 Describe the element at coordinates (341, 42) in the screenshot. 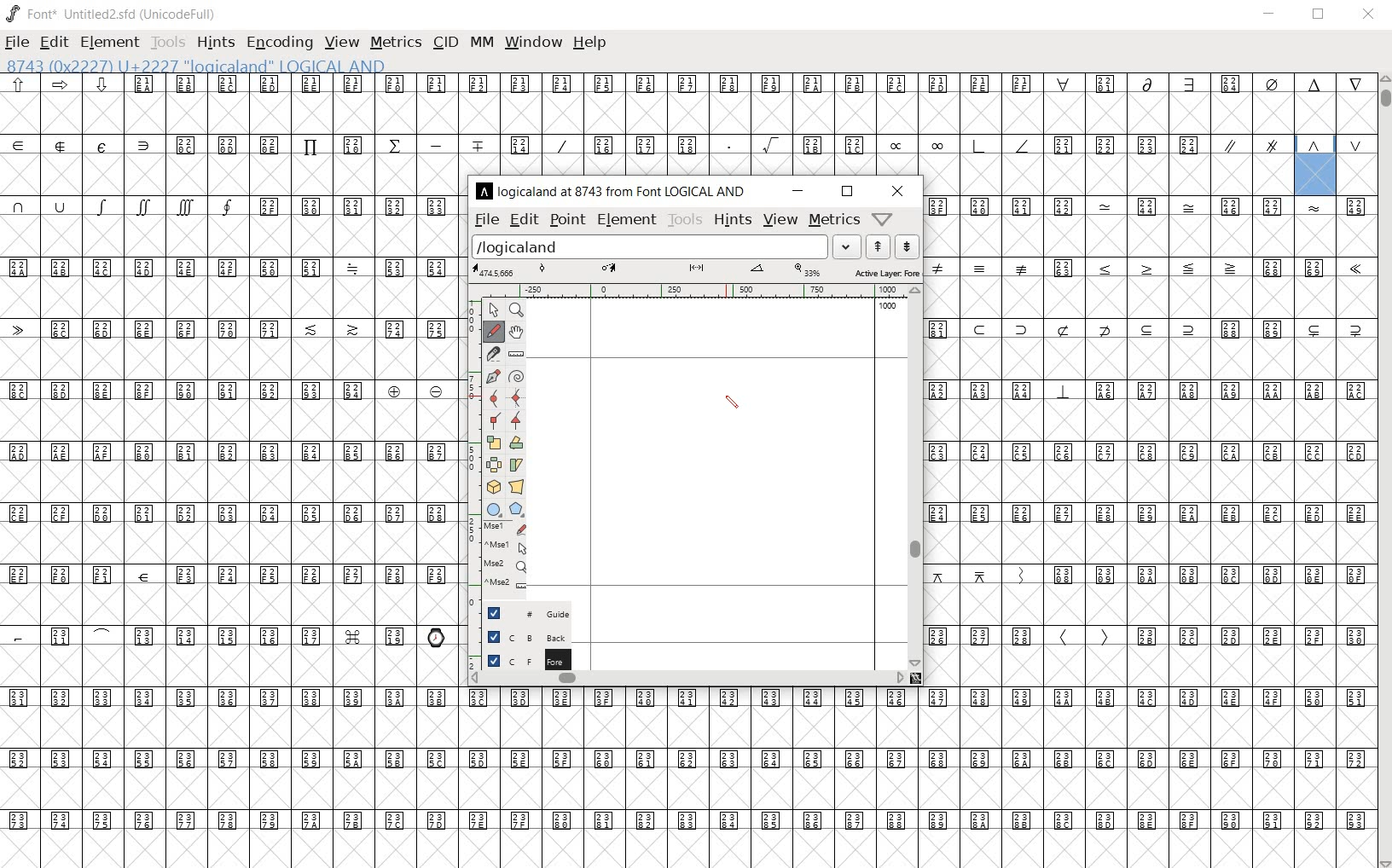

I see `view` at that location.